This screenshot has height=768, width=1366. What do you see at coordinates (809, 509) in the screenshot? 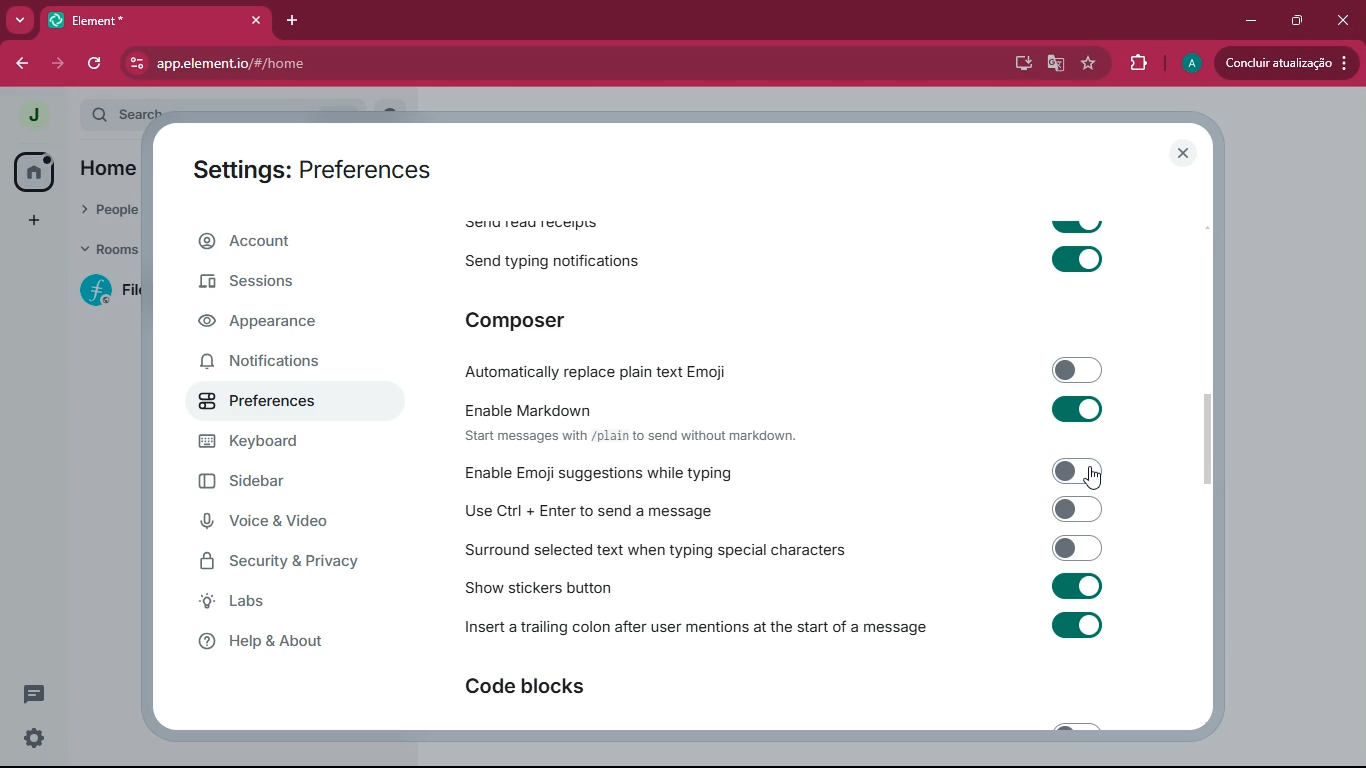
I see `enable ctrl enter` at bounding box center [809, 509].